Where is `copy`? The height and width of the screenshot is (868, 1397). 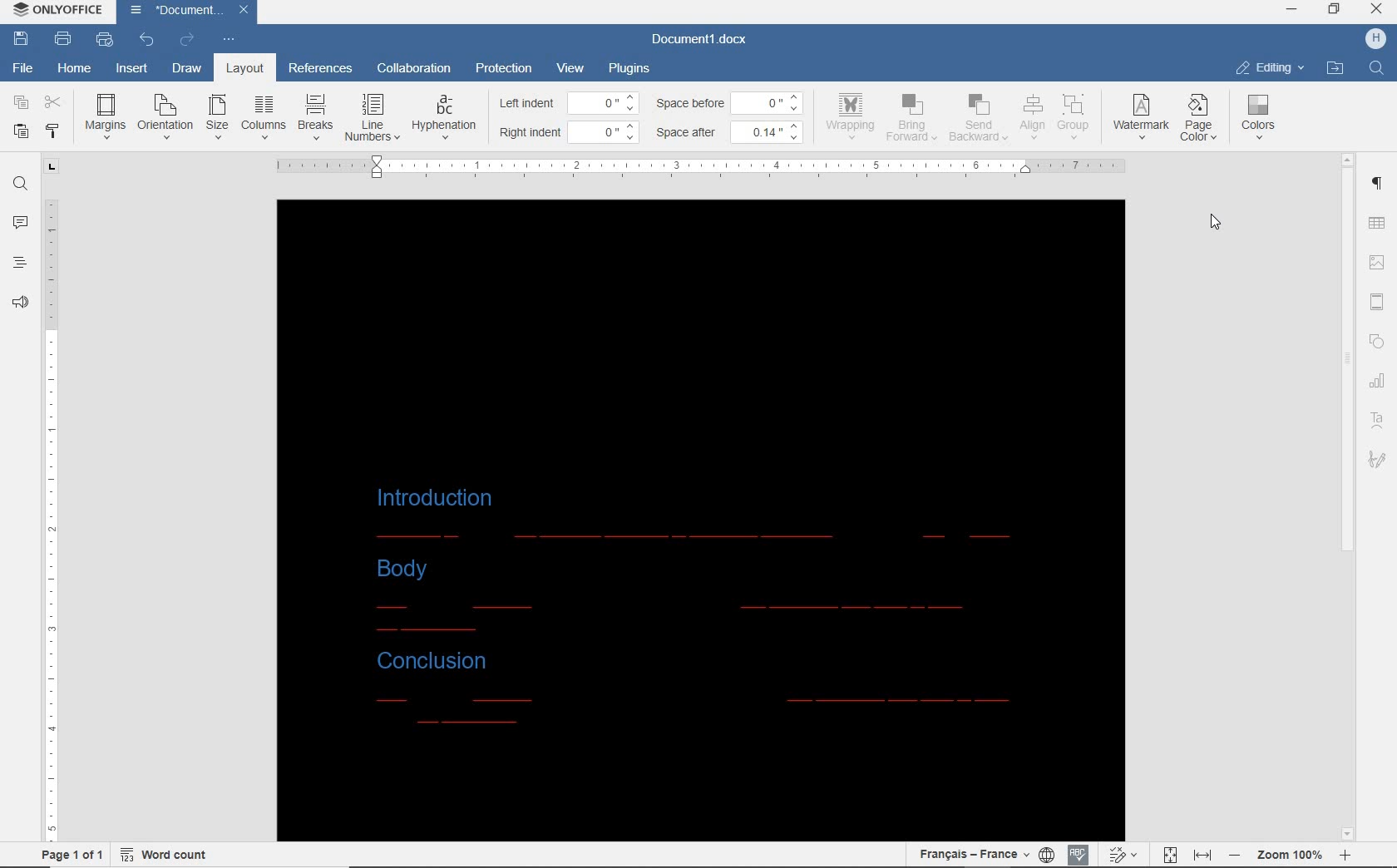
copy is located at coordinates (23, 103).